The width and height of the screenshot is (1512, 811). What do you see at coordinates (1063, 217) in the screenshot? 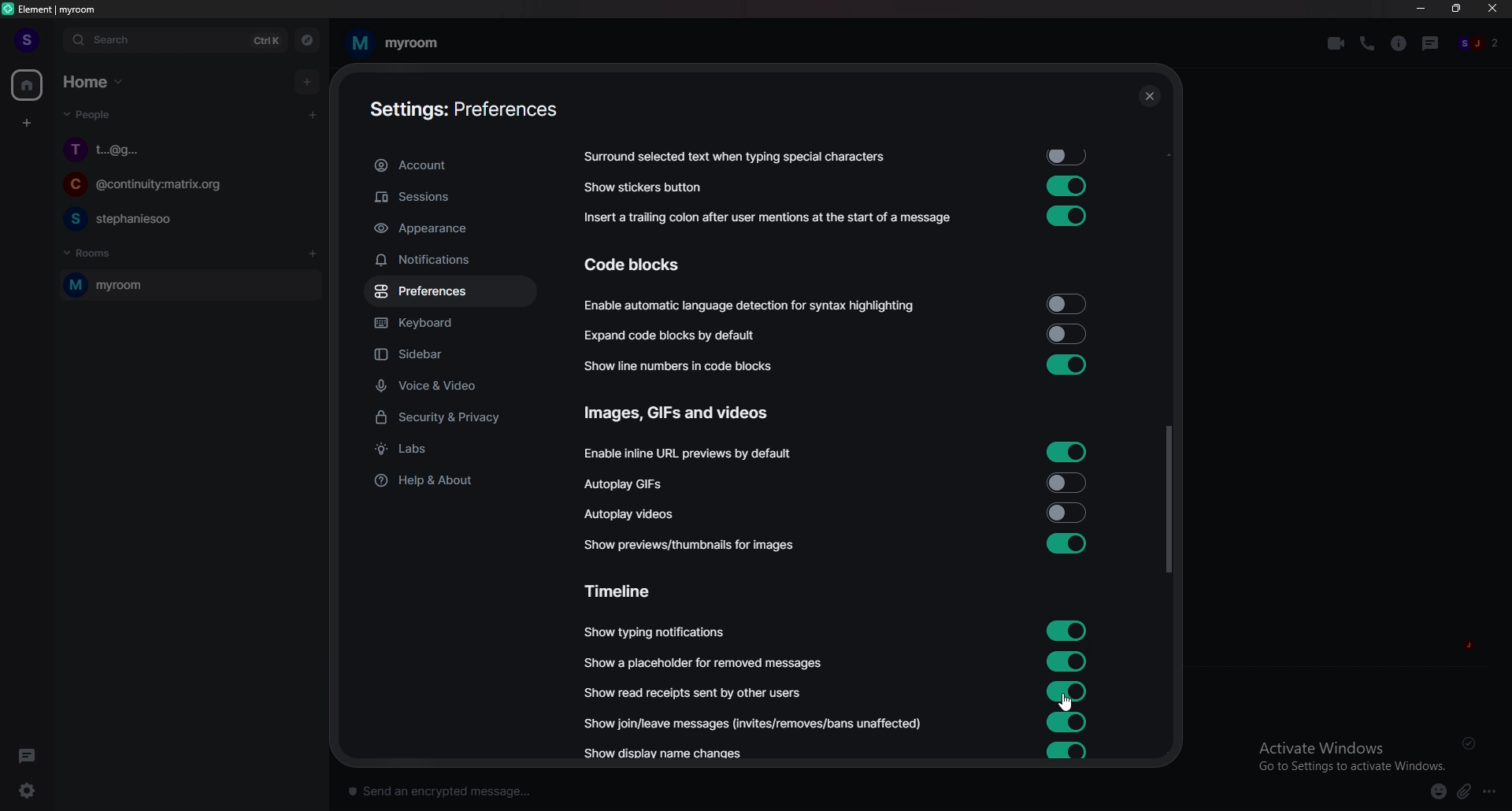
I see `toggle` at bounding box center [1063, 217].